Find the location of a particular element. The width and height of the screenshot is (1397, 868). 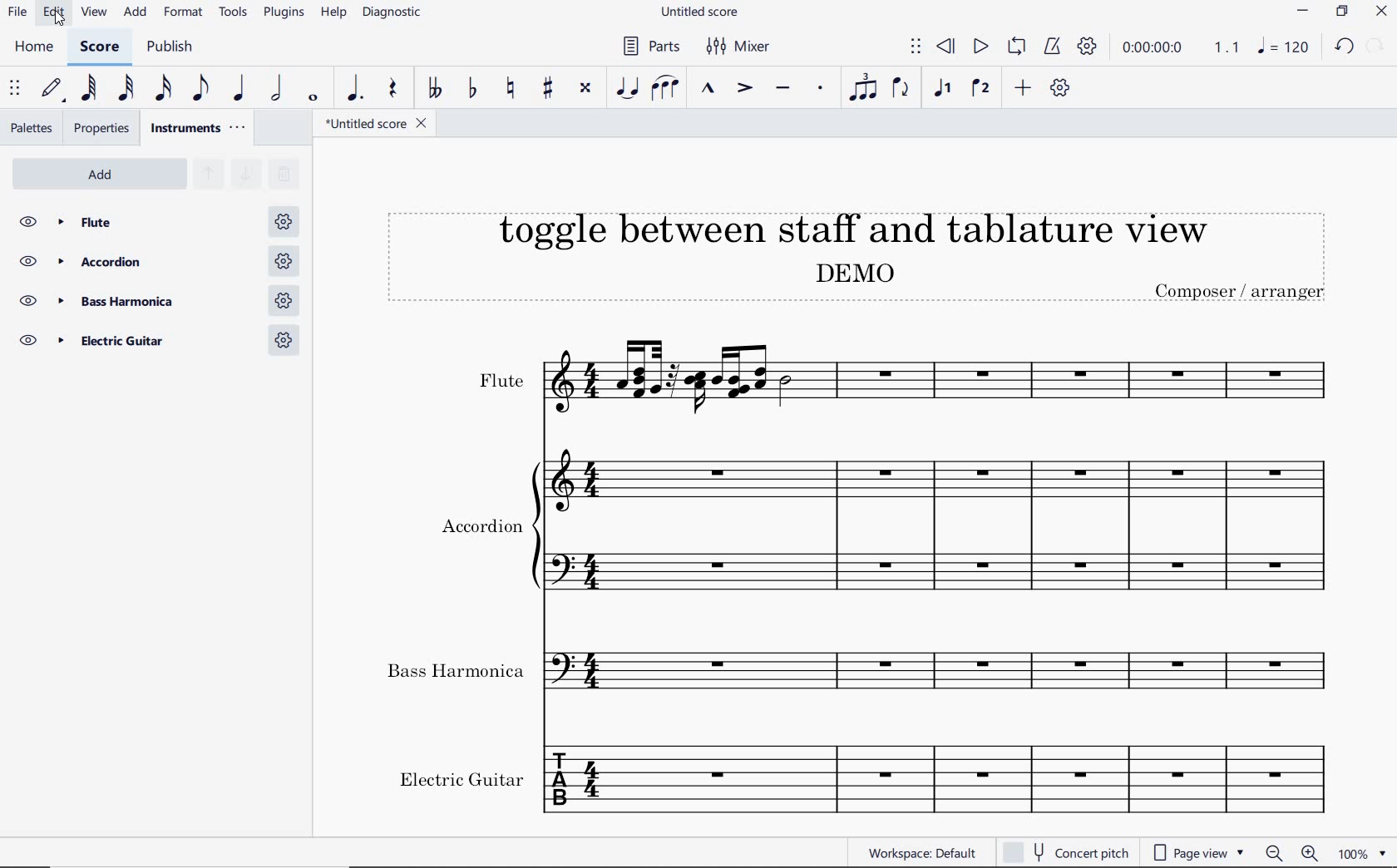

tuplet is located at coordinates (864, 89).